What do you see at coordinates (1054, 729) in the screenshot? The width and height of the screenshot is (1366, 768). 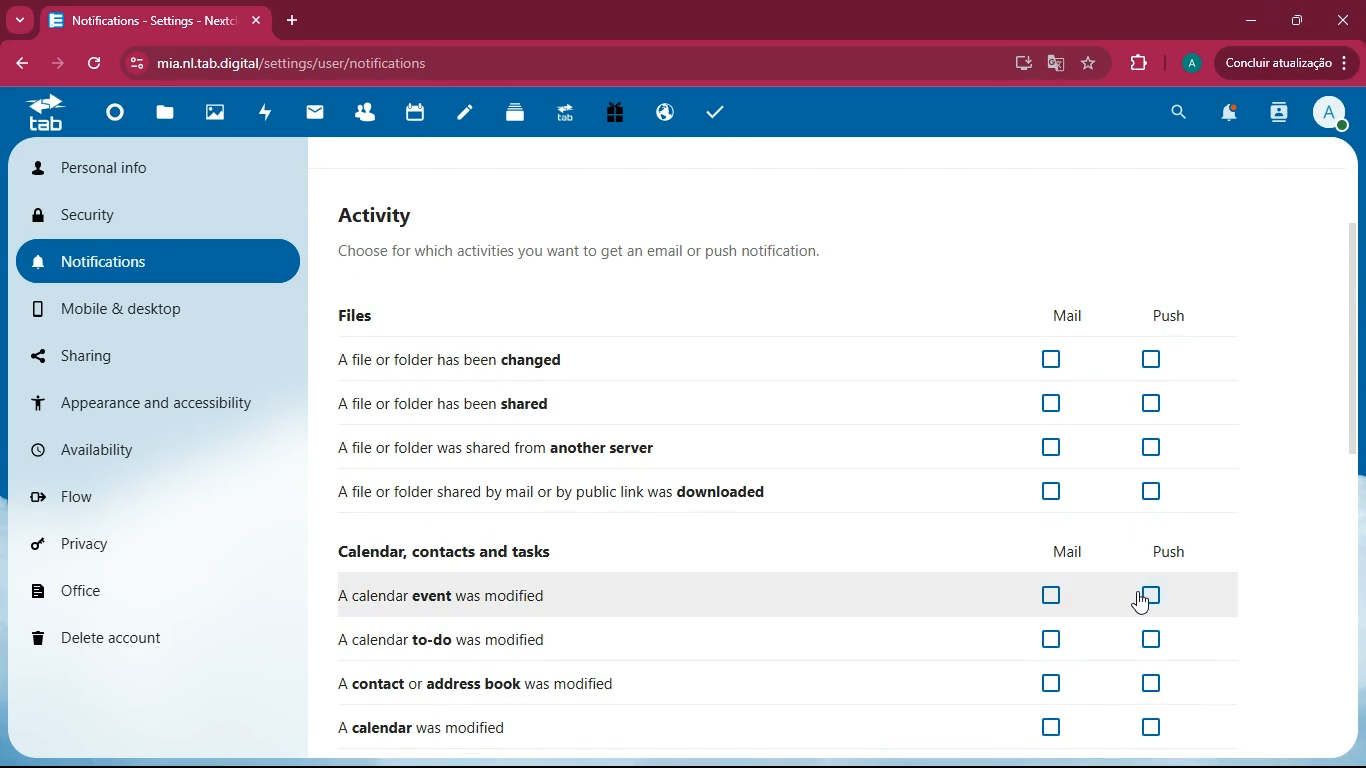 I see `off` at bounding box center [1054, 729].